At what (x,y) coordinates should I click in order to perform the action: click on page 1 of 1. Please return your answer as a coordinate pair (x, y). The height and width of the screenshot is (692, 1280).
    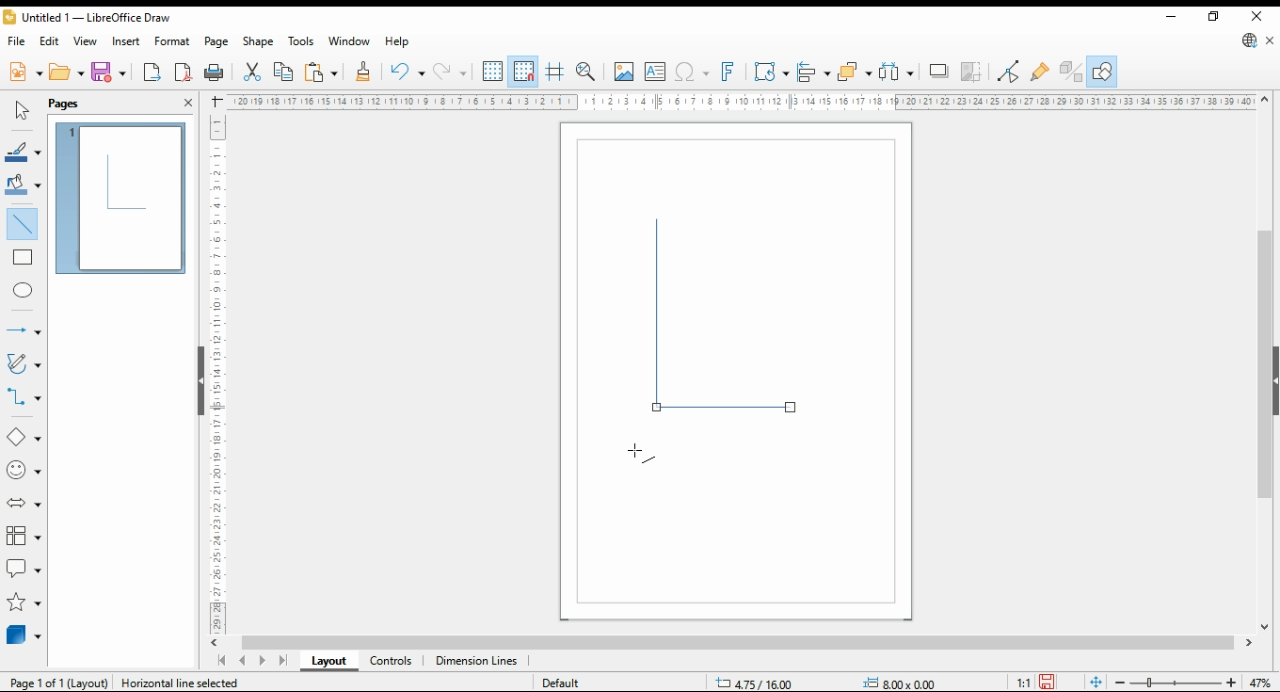
    Looking at the image, I should click on (55, 683).